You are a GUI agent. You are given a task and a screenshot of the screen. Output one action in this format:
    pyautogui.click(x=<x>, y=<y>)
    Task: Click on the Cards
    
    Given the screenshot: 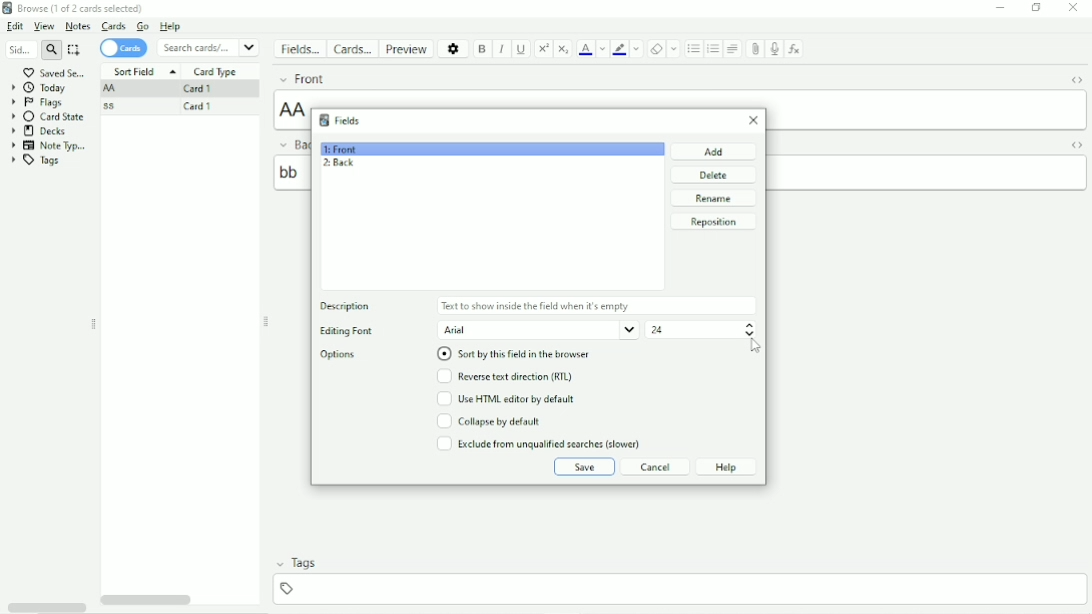 What is the action you would take?
    pyautogui.click(x=113, y=27)
    